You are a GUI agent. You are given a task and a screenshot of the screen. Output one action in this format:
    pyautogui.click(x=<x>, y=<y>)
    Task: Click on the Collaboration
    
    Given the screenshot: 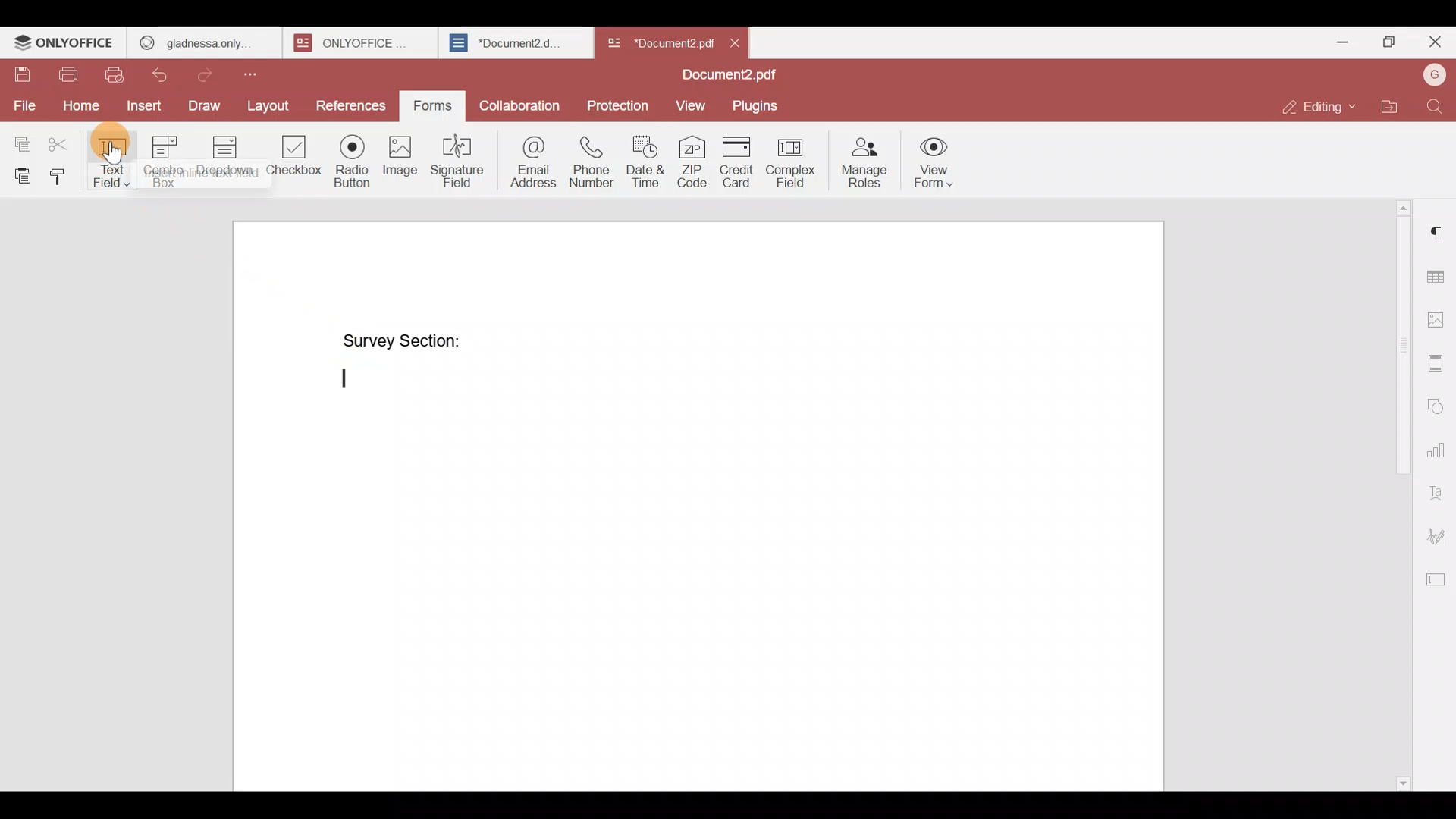 What is the action you would take?
    pyautogui.click(x=522, y=108)
    